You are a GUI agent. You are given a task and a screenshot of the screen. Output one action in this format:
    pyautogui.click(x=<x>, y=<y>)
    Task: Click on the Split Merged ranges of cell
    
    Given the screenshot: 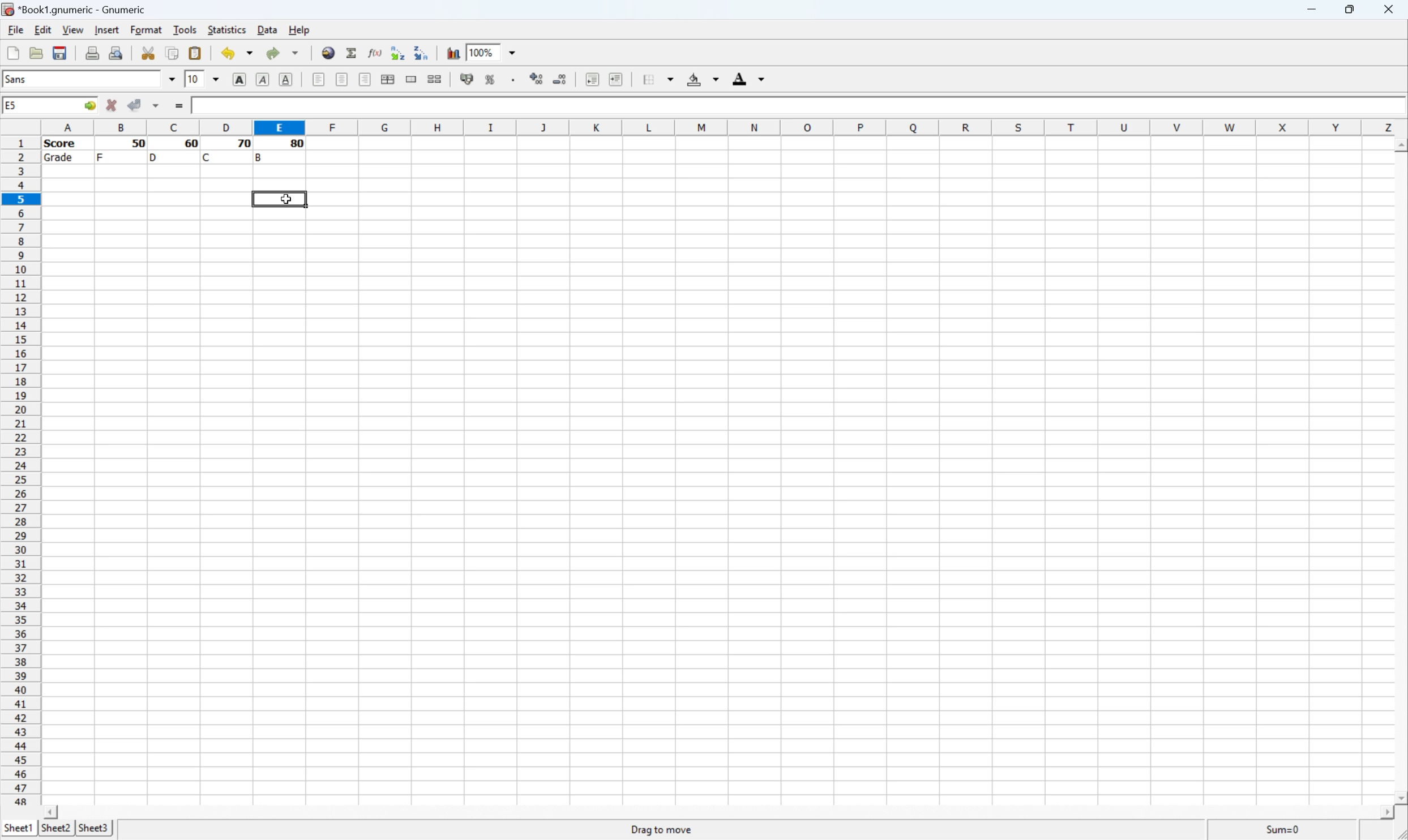 What is the action you would take?
    pyautogui.click(x=433, y=81)
    